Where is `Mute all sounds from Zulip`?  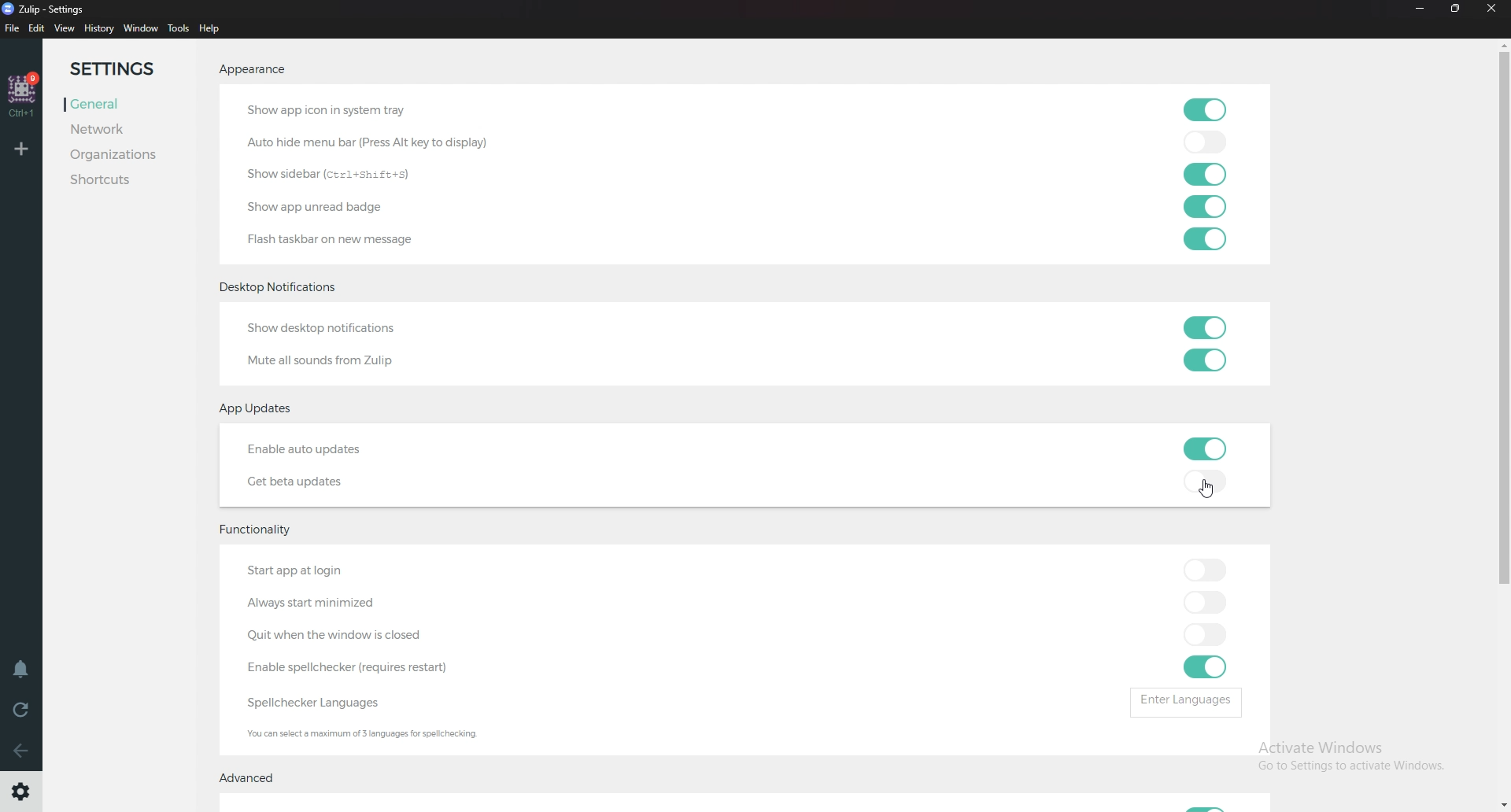 Mute all sounds from Zulip is located at coordinates (328, 360).